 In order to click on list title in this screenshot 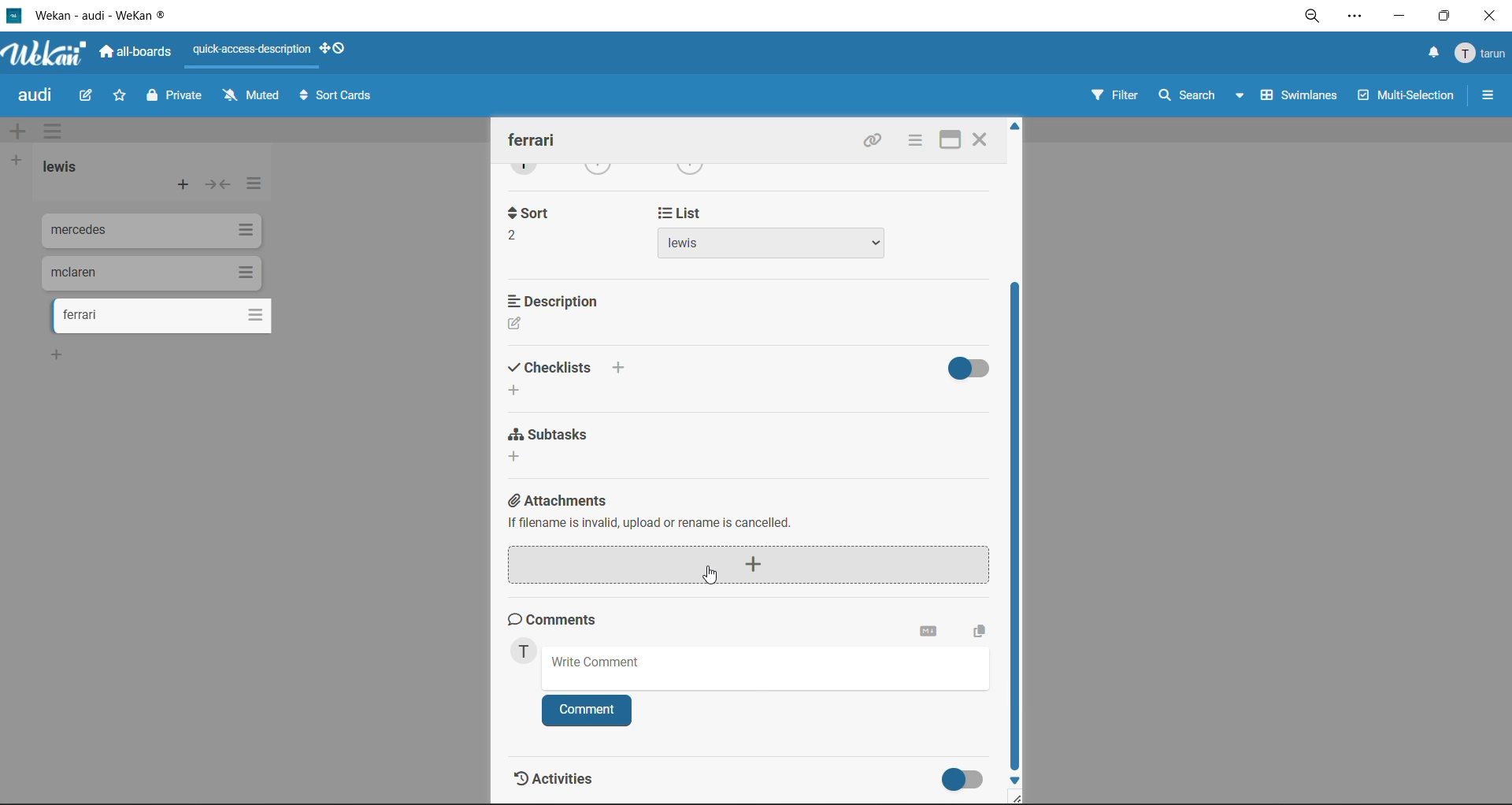, I will do `click(60, 167)`.